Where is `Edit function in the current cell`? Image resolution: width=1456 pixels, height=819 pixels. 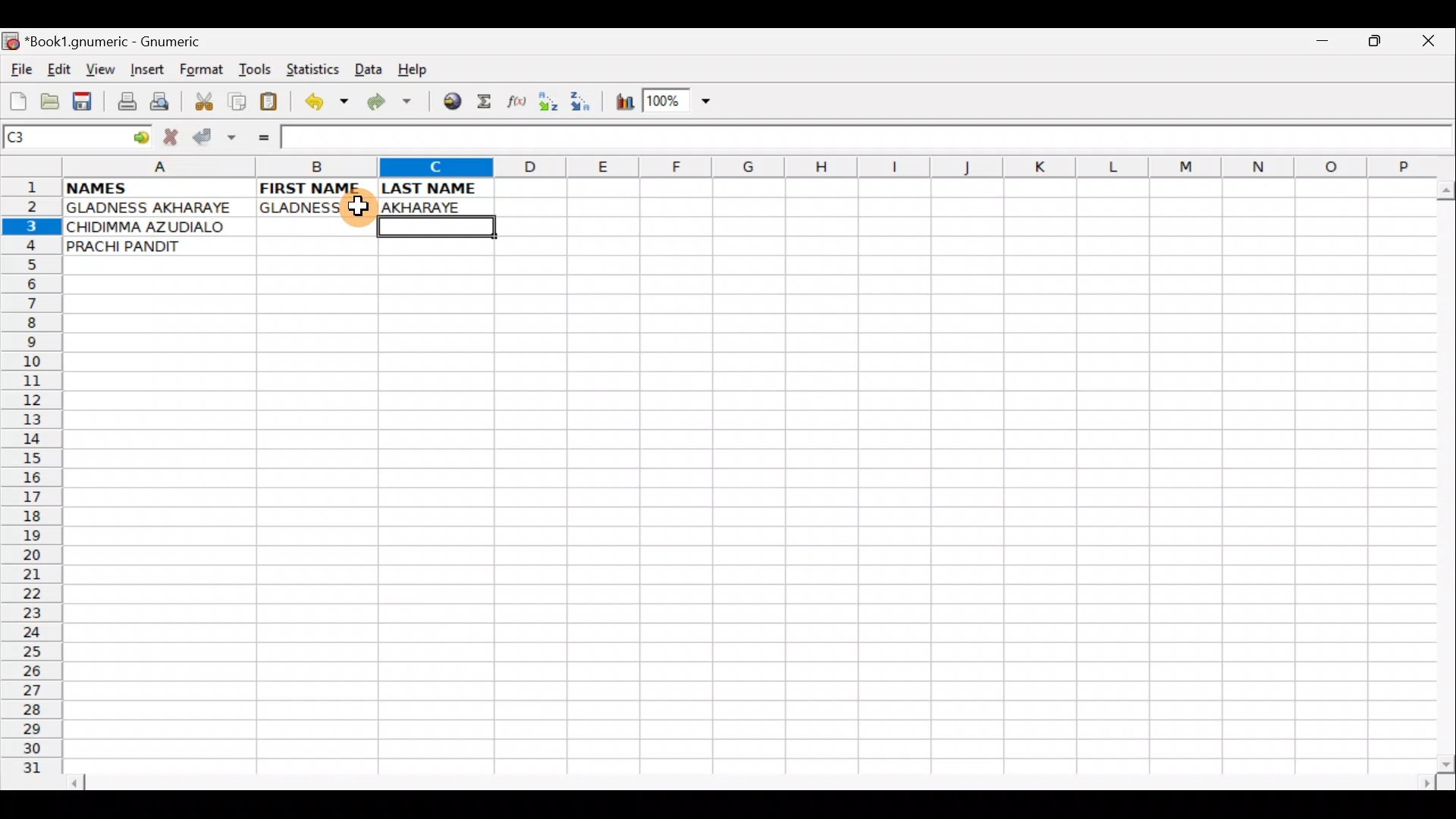 Edit function in the current cell is located at coordinates (519, 105).